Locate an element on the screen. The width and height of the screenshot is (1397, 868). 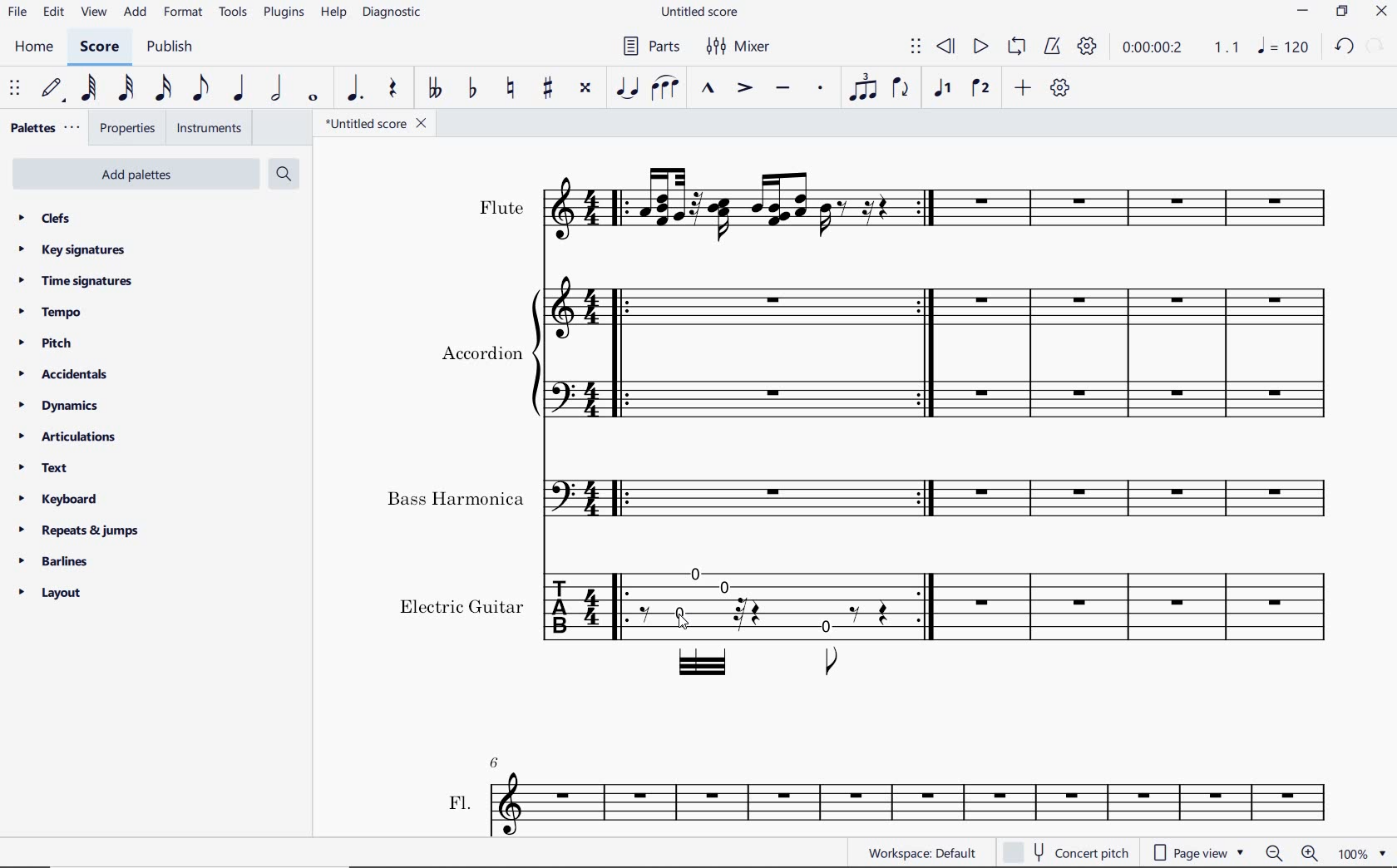
restore down is located at coordinates (1341, 12).